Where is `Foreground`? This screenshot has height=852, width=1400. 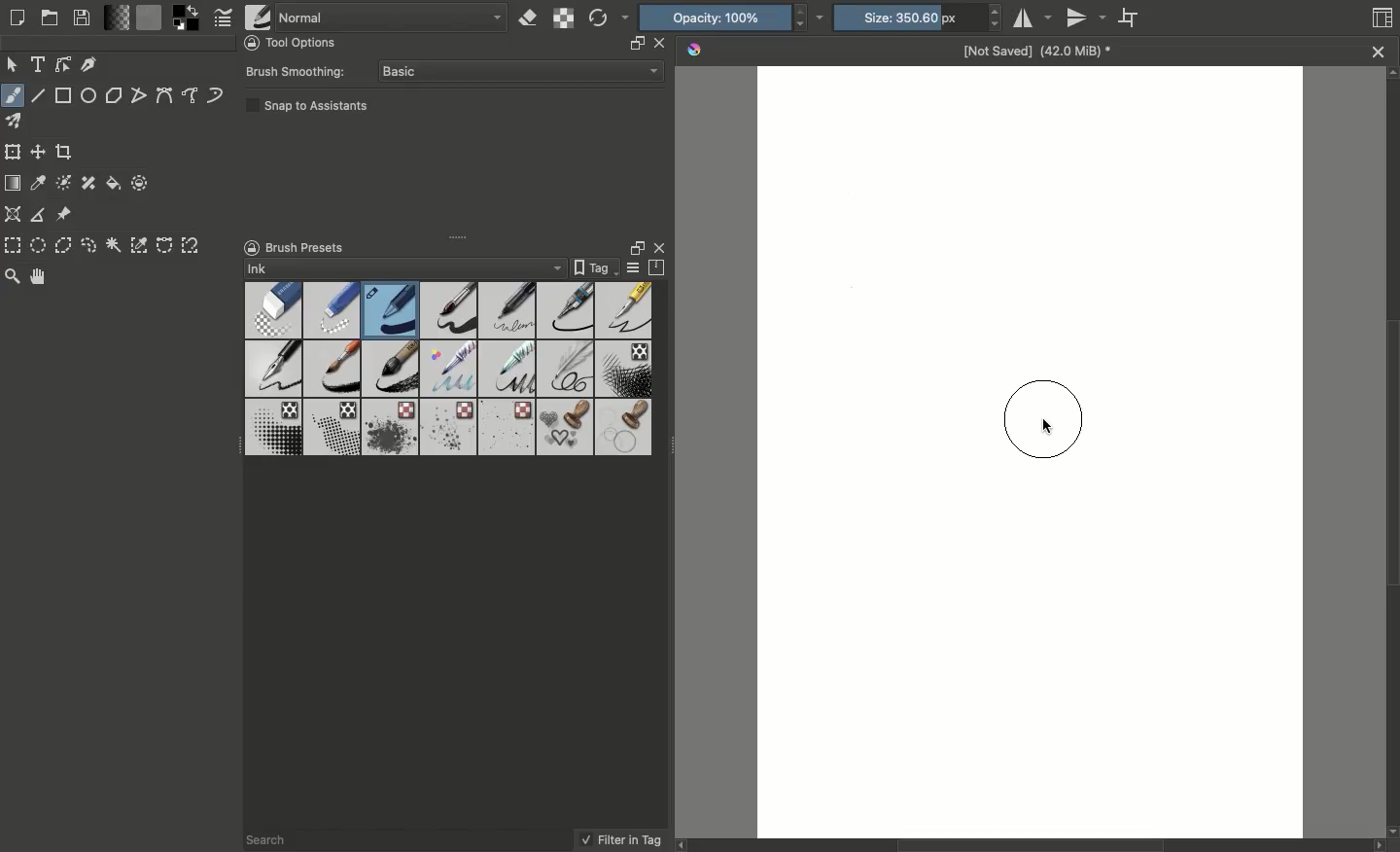 Foreground is located at coordinates (191, 18).